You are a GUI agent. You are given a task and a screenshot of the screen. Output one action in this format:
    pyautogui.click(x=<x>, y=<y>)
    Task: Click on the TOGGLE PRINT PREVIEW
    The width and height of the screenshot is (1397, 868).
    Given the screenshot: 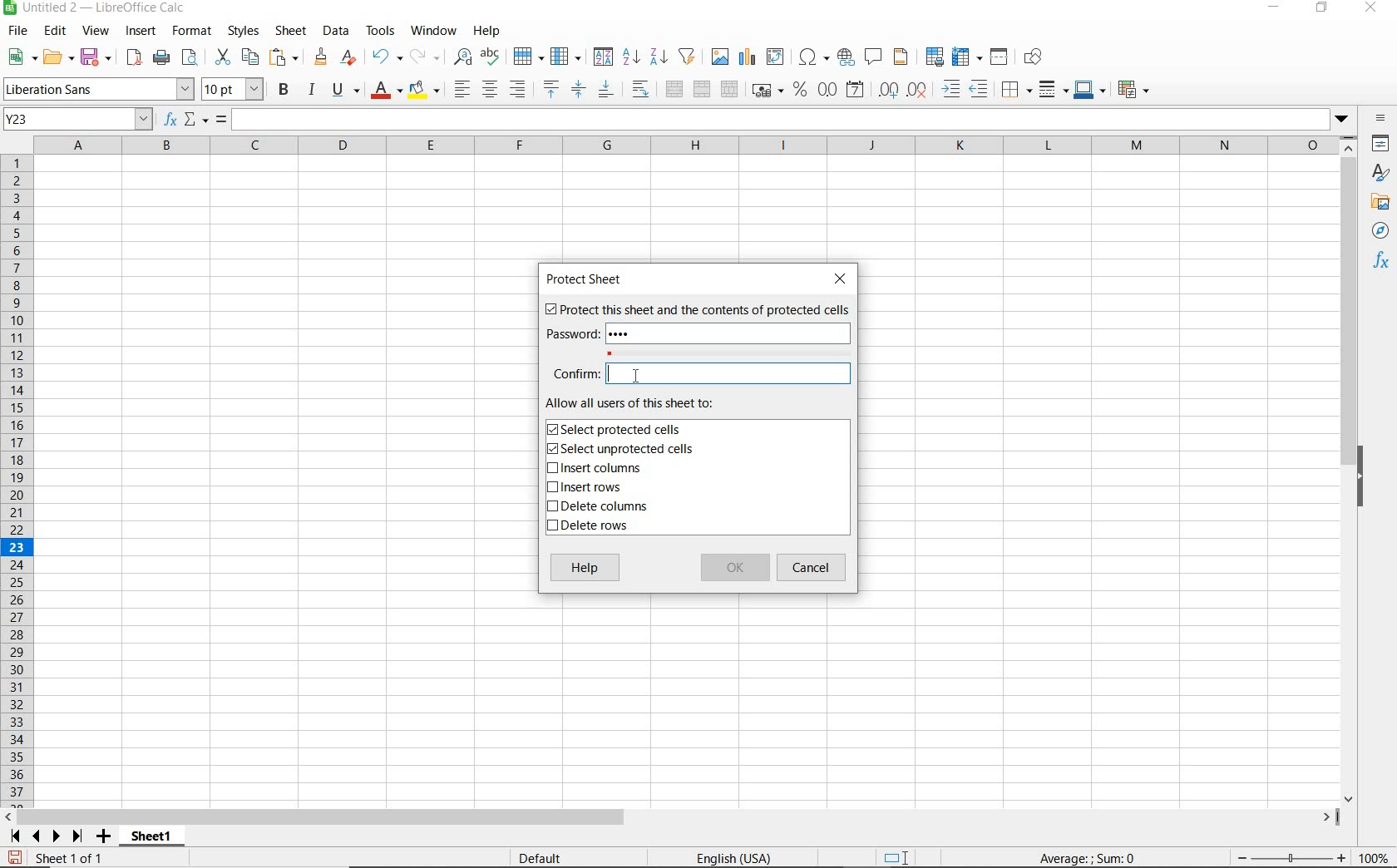 What is the action you would take?
    pyautogui.click(x=192, y=57)
    